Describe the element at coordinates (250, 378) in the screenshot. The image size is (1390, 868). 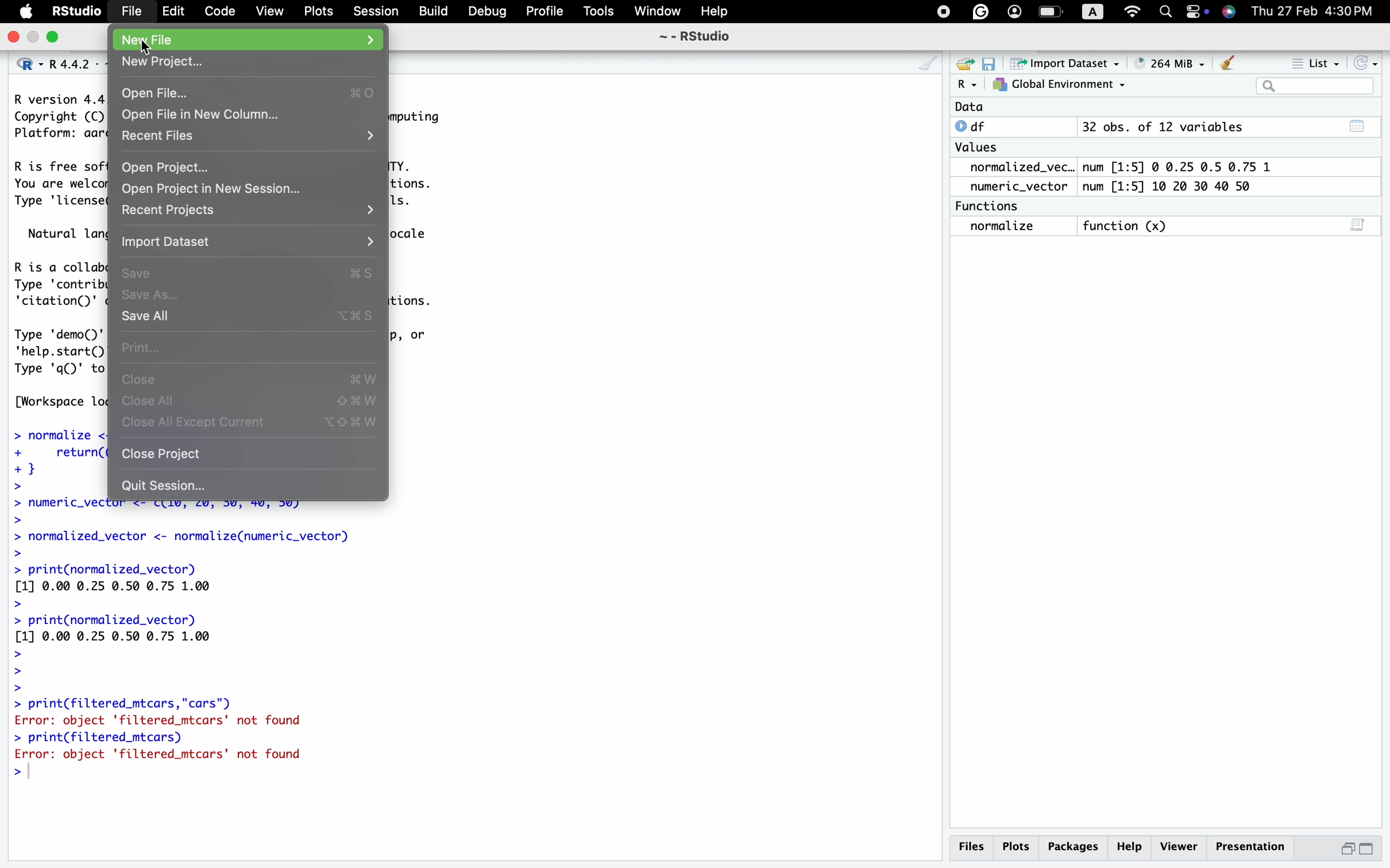
I see `close` at that location.